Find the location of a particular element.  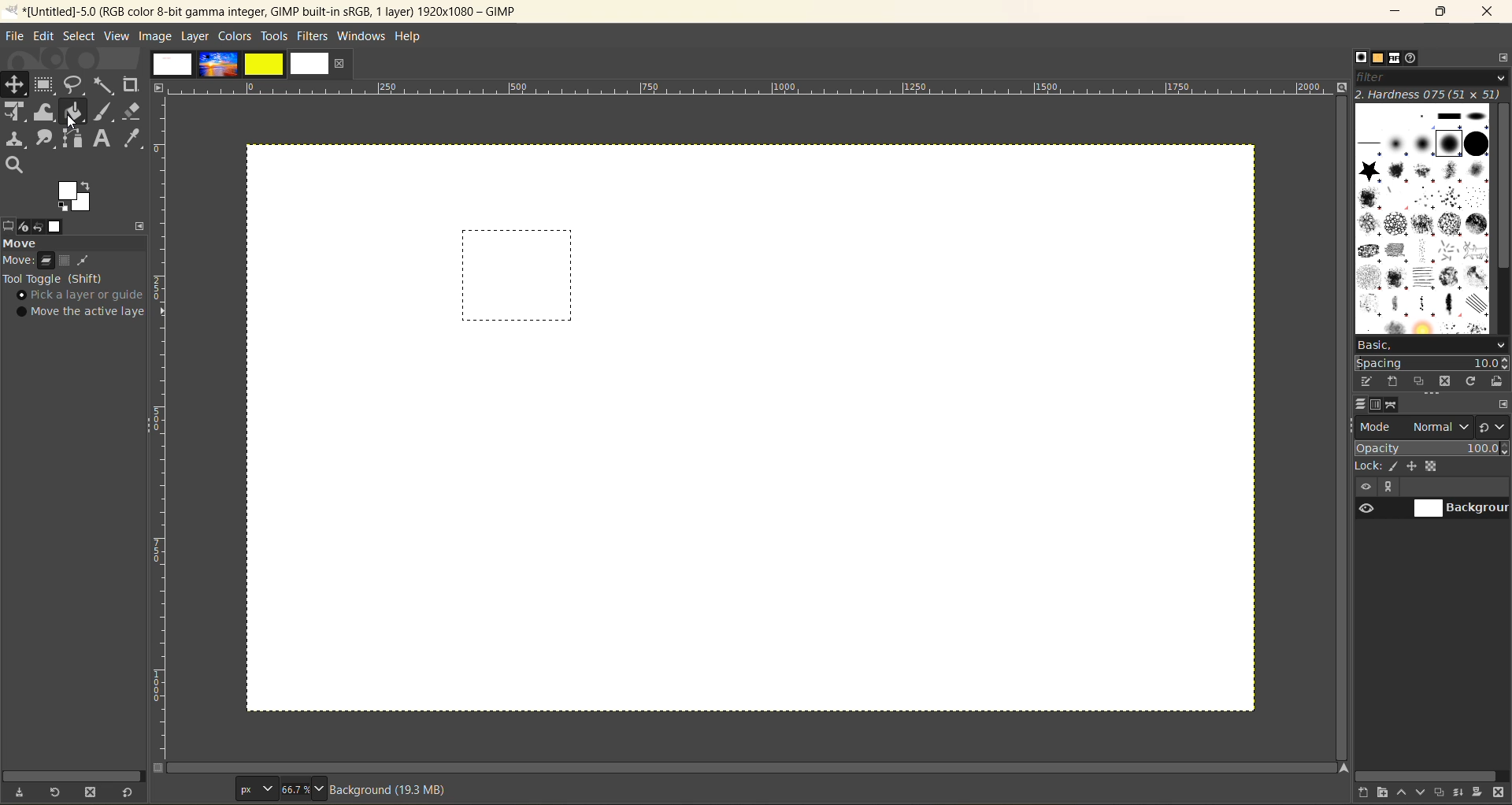

cursor is located at coordinates (72, 123).